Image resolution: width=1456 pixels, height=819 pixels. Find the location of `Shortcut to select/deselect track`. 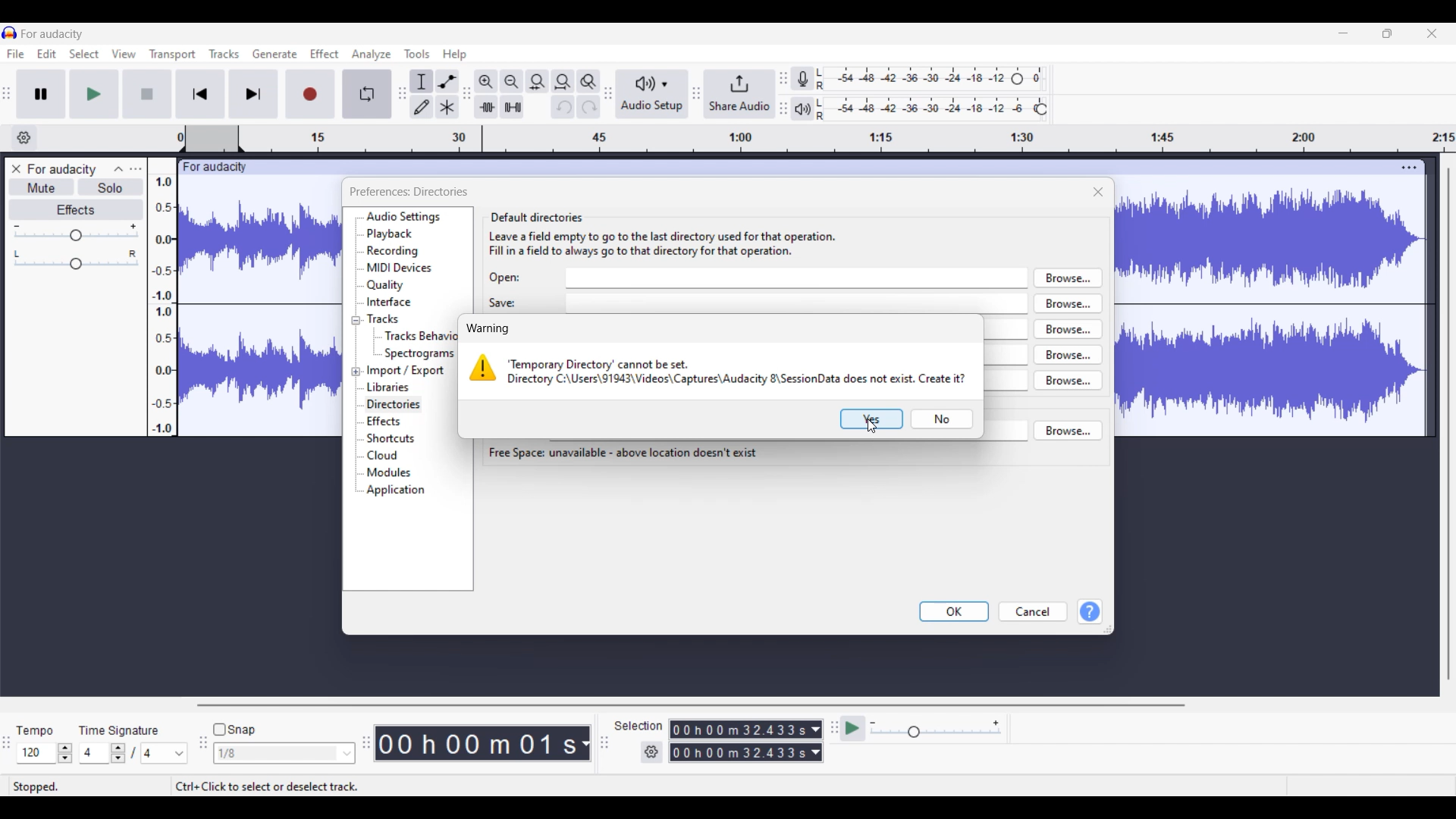

Shortcut to select/deselect track is located at coordinates (267, 786).